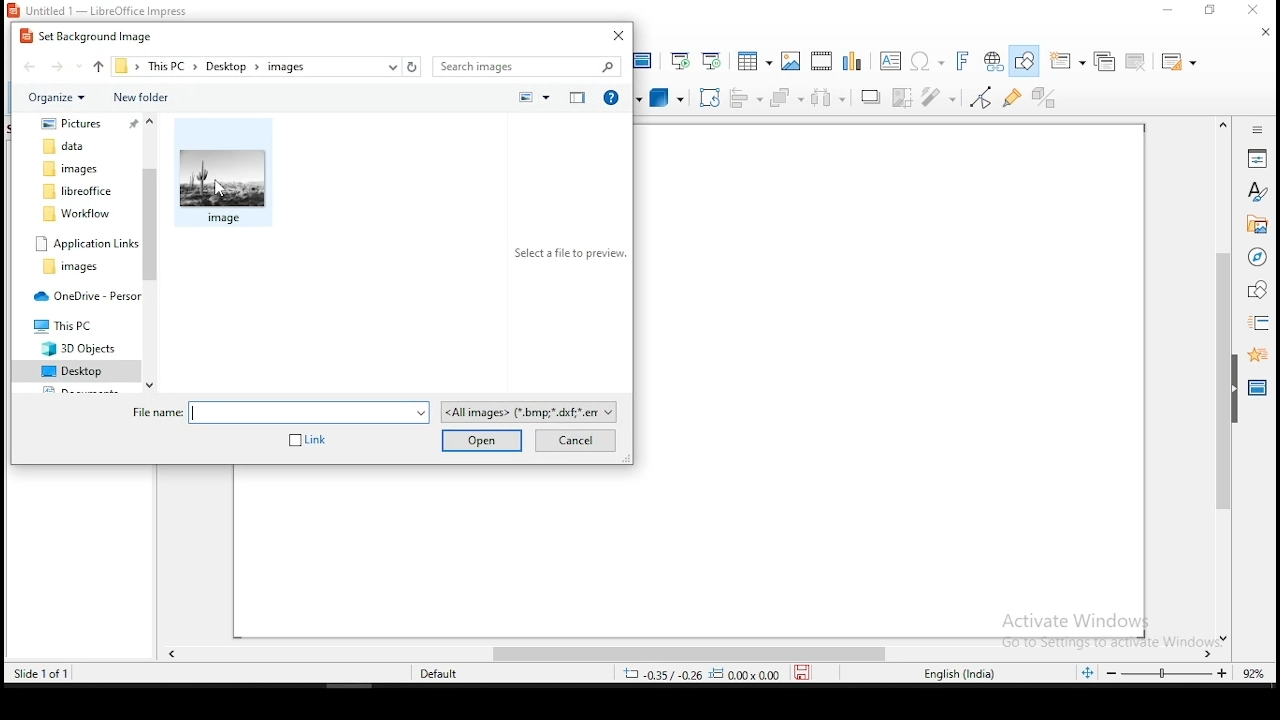  I want to click on select a file to preview, so click(570, 252).